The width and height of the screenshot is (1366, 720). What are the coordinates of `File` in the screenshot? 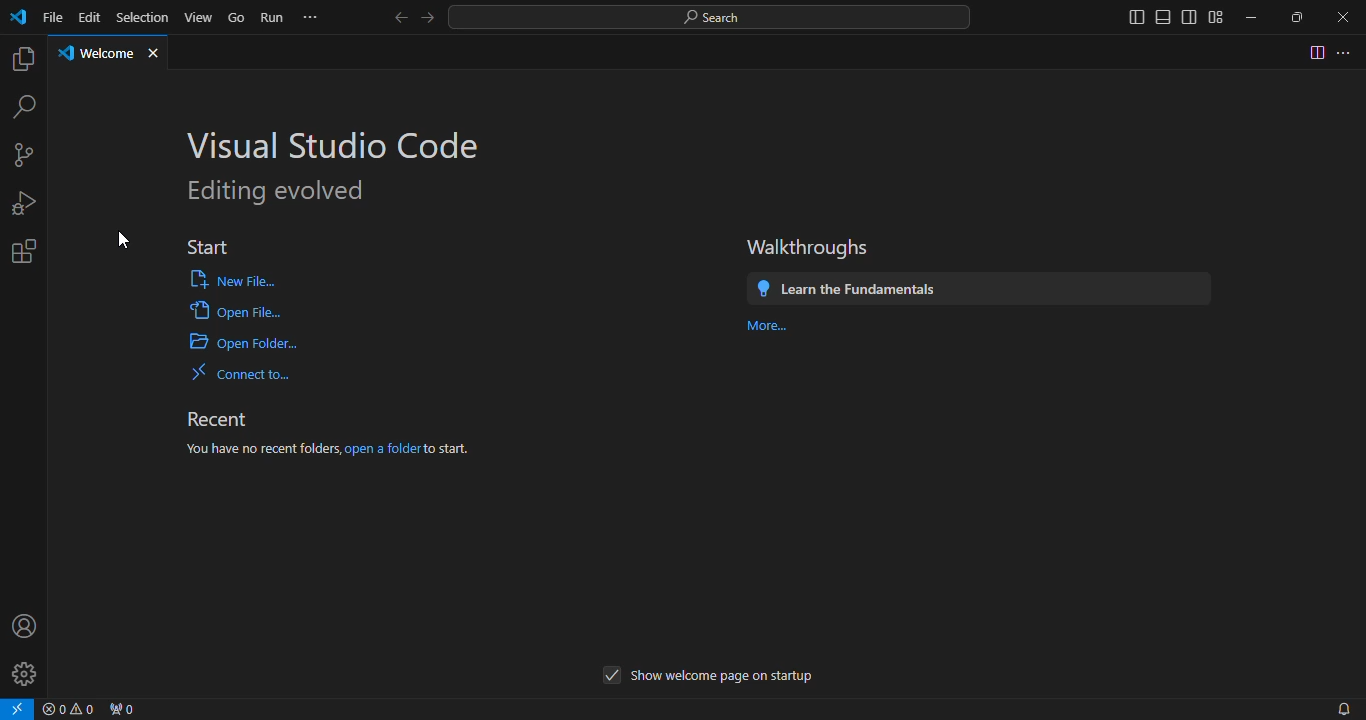 It's located at (49, 16).